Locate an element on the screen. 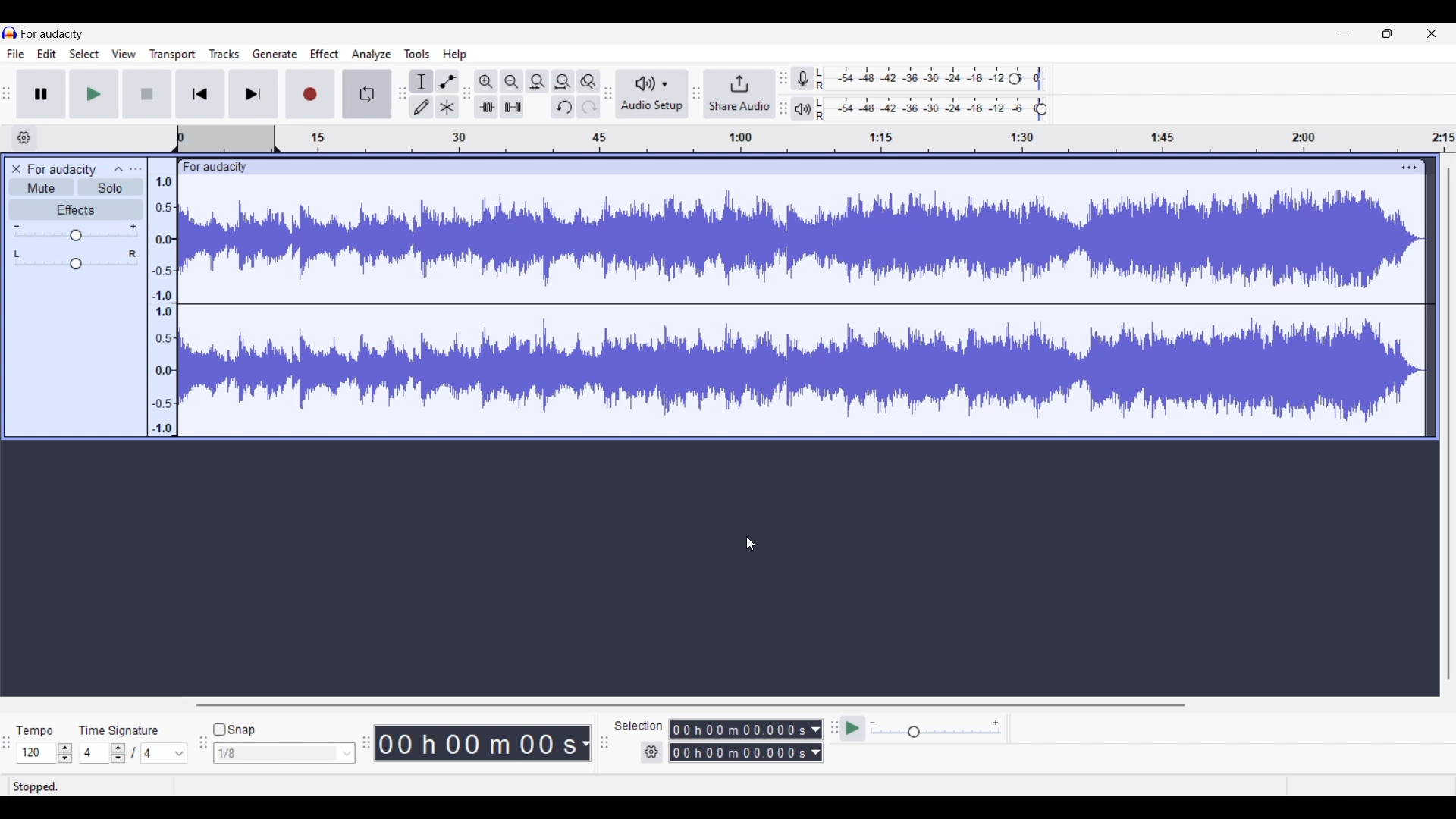 The width and height of the screenshot is (1456, 819). Record meter is located at coordinates (813, 78).